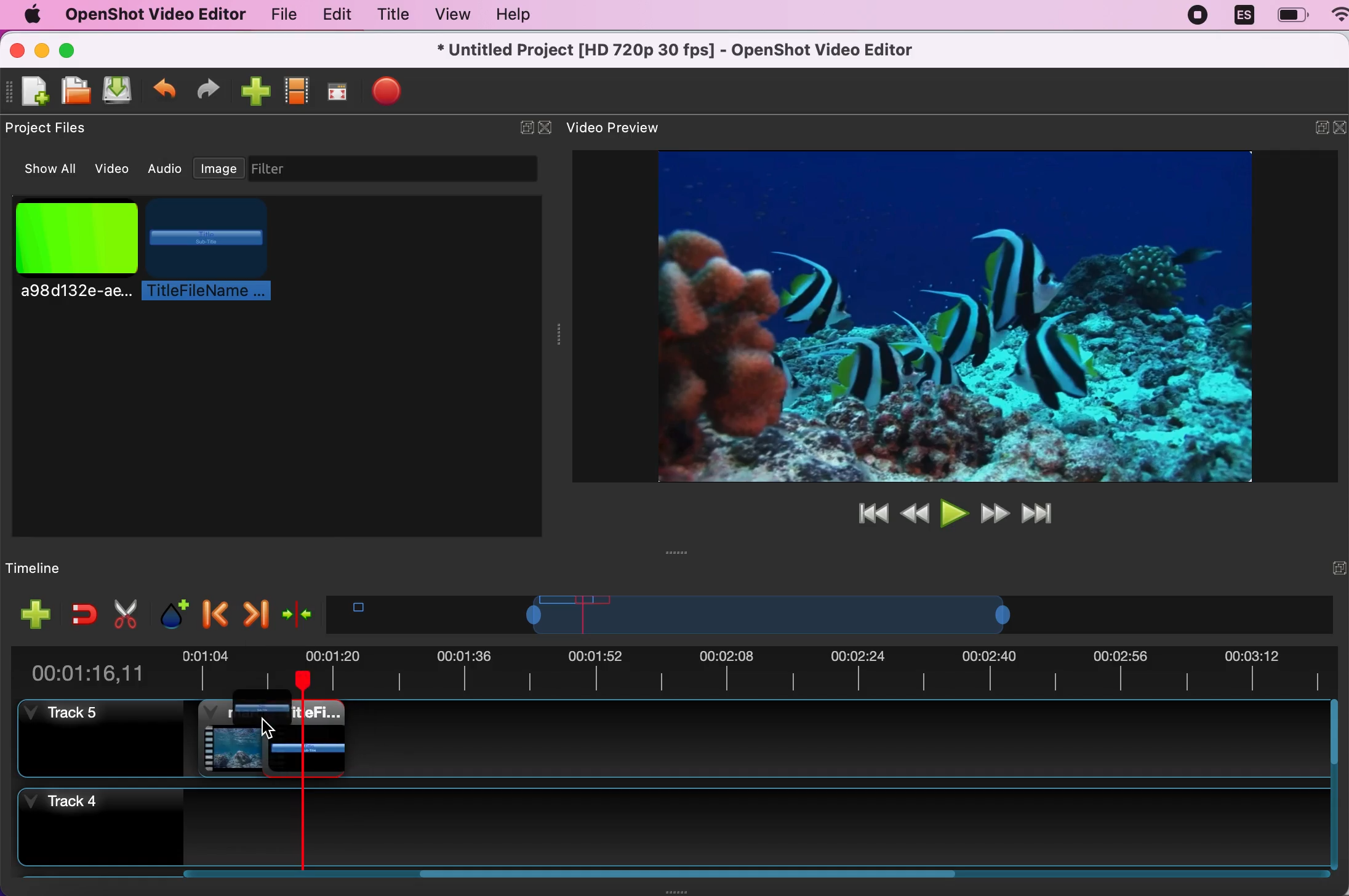 The image size is (1349, 896). Describe the element at coordinates (995, 513) in the screenshot. I see `fast forward` at that location.